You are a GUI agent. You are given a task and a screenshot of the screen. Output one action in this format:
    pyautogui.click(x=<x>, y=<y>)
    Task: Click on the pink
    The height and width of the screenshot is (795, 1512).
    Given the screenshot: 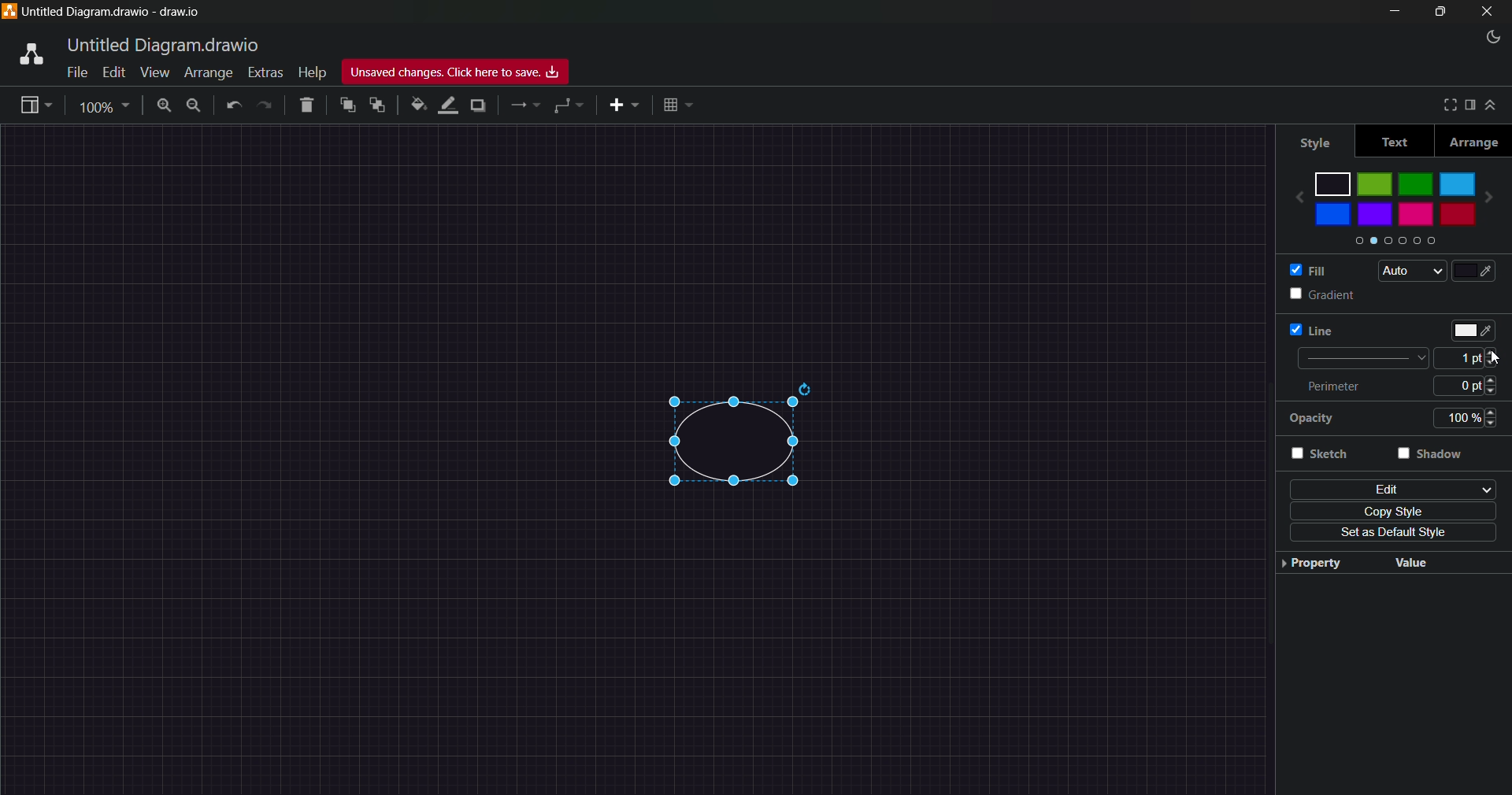 What is the action you would take?
    pyautogui.click(x=1416, y=215)
    